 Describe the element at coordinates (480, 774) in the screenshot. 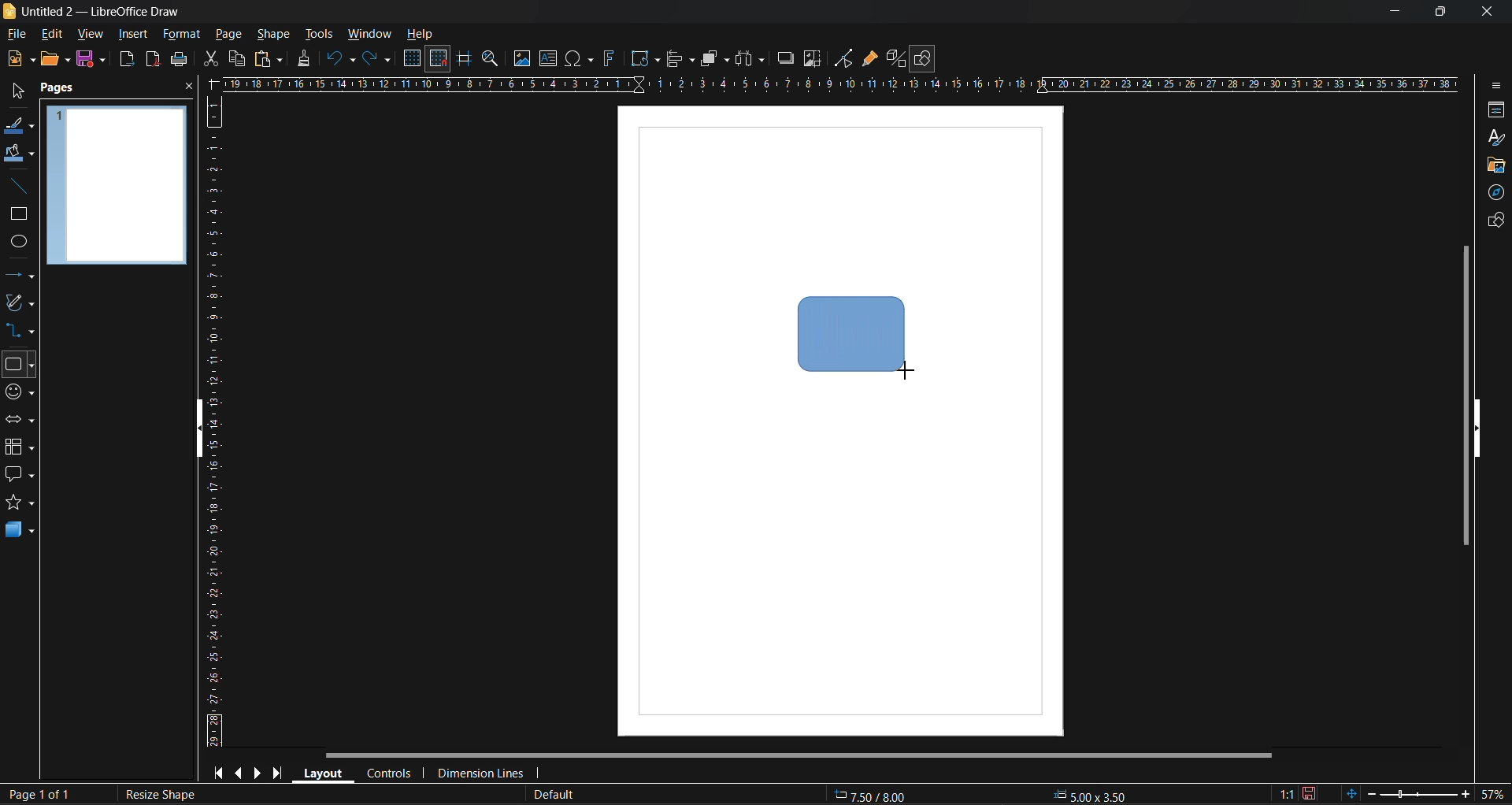

I see `dimension lines` at that location.